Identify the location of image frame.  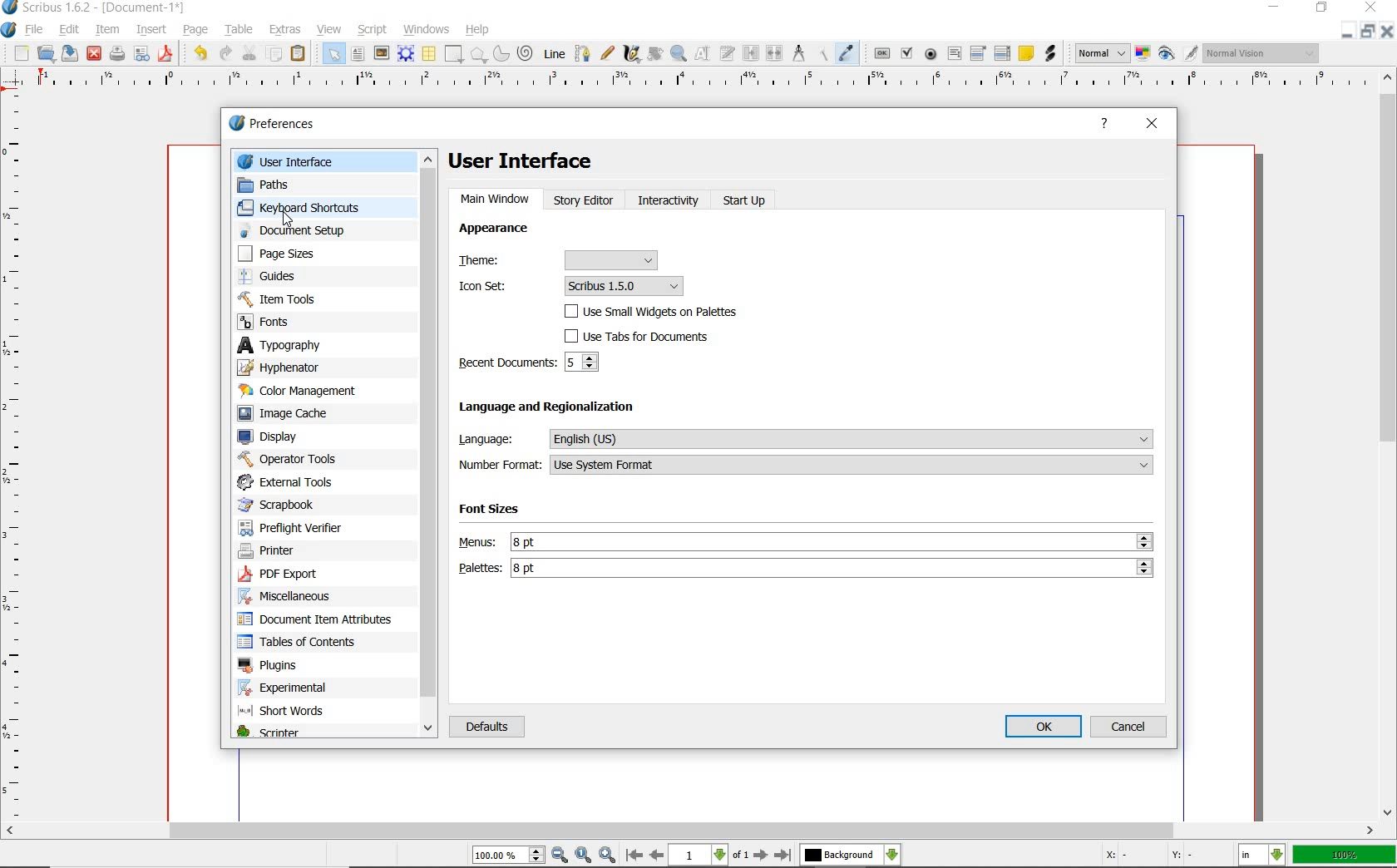
(382, 55).